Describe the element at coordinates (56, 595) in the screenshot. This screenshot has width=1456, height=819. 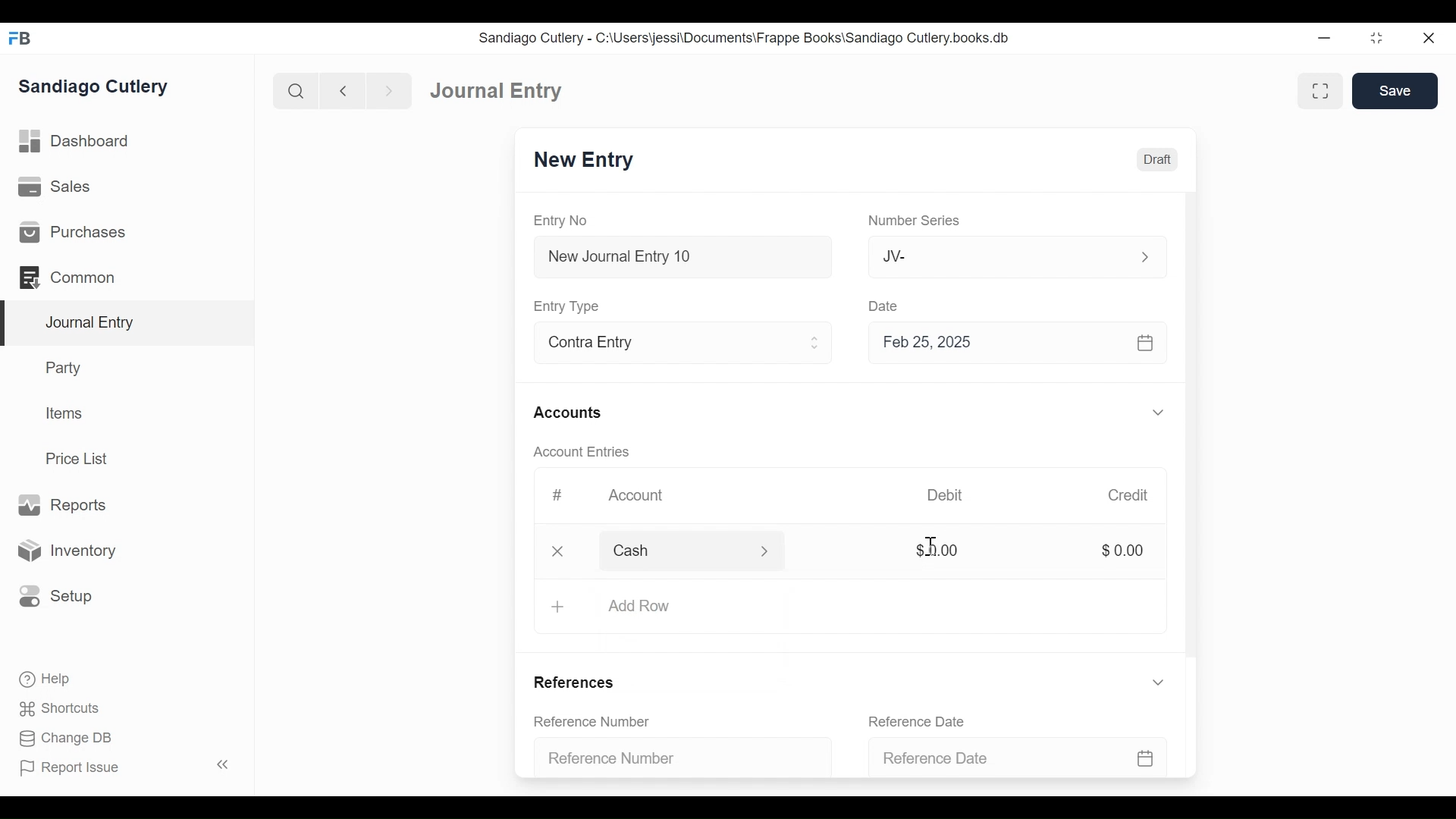
I see `Setup` at that location.